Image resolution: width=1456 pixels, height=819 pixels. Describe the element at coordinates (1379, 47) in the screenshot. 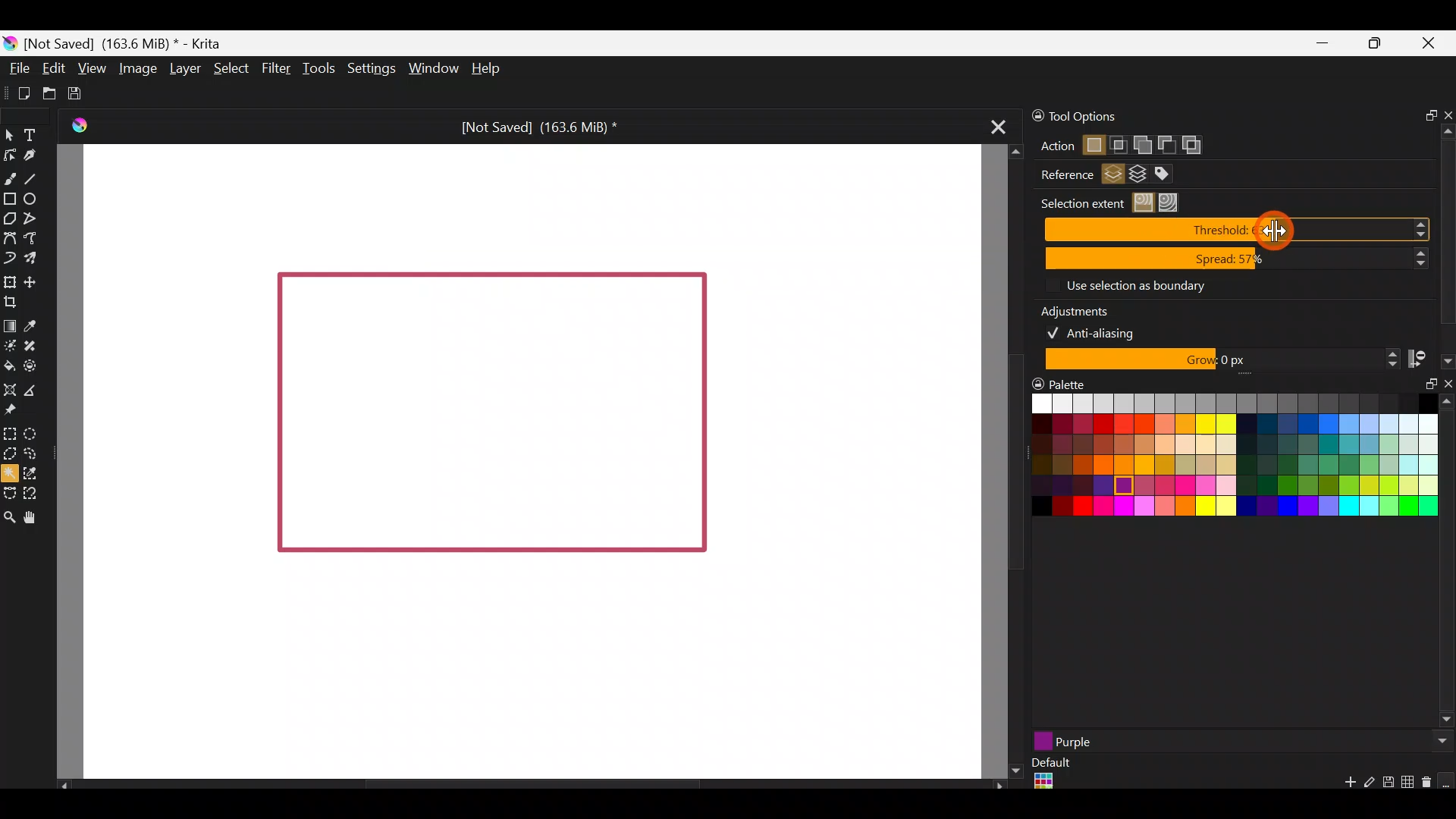

I see `Maximize` at that location.